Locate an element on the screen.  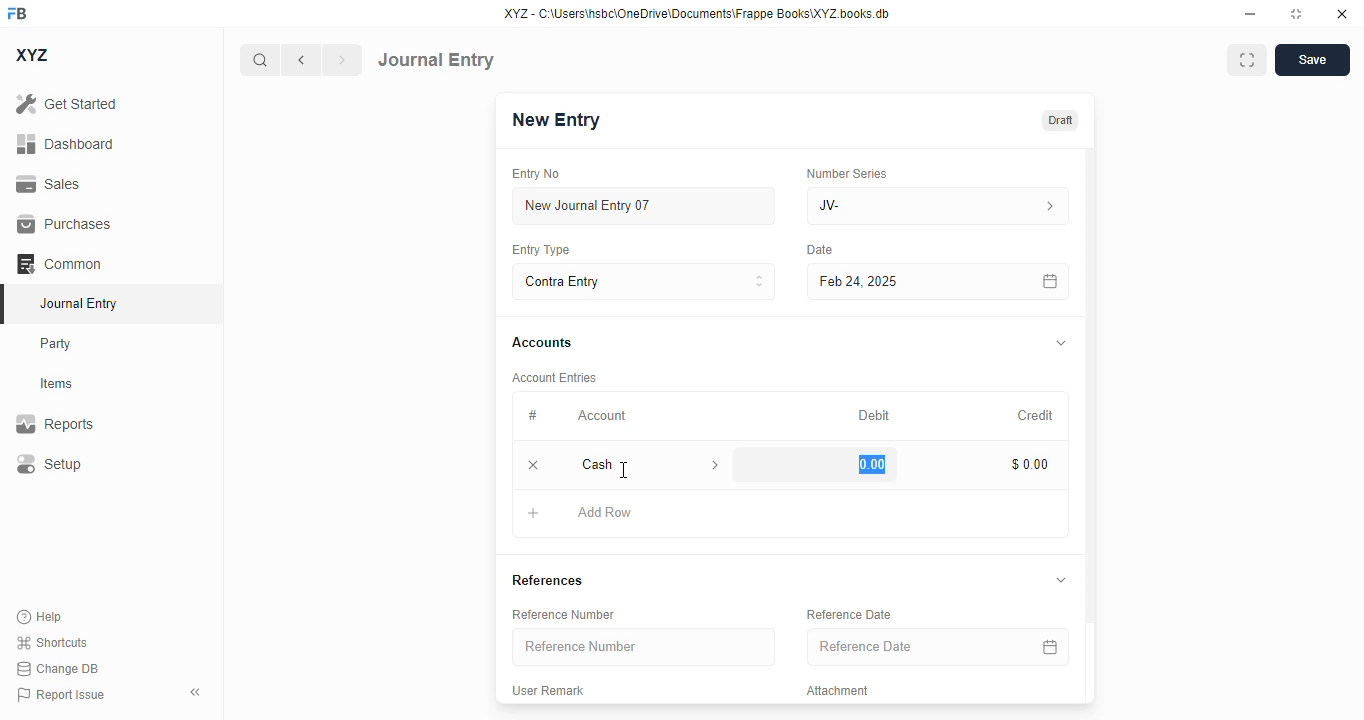
cash typed and TAB pressed is located at coordinates (626, 464).